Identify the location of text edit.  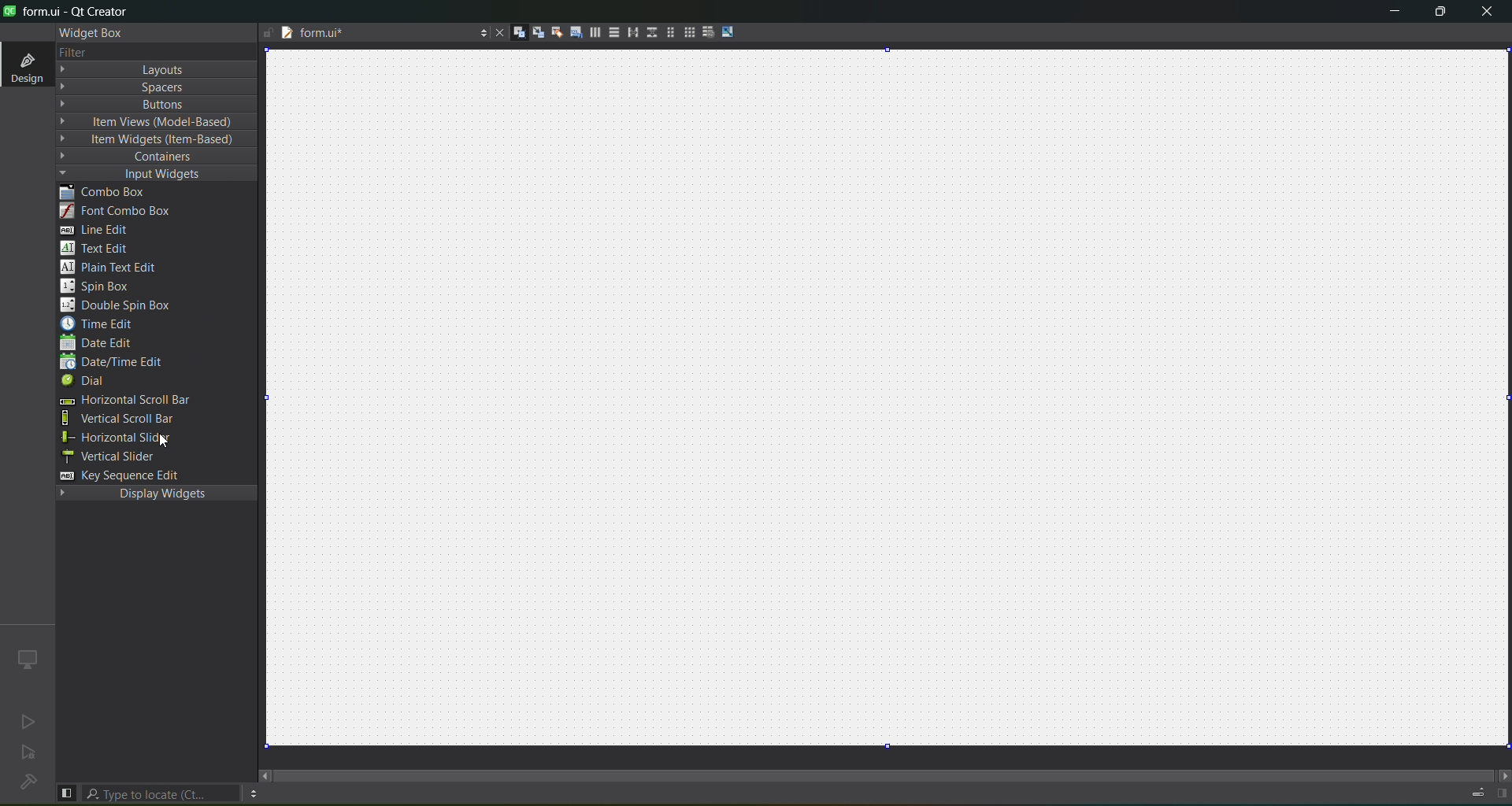
(99, 250).